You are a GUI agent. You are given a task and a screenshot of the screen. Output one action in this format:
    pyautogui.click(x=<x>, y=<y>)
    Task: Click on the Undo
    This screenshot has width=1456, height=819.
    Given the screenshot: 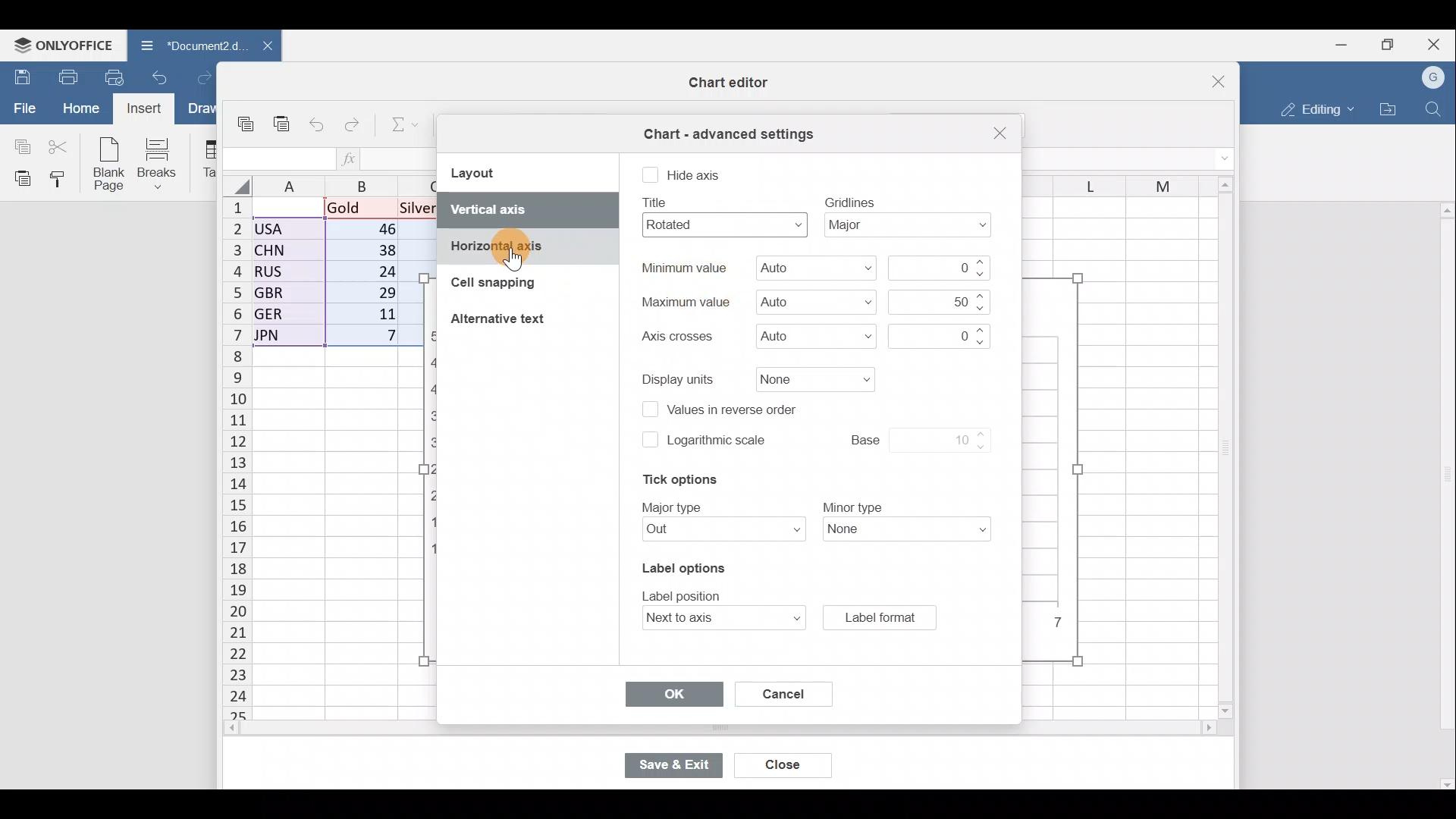 What is the action you would take?
    pyautogui.click(x=160, y=76)
    